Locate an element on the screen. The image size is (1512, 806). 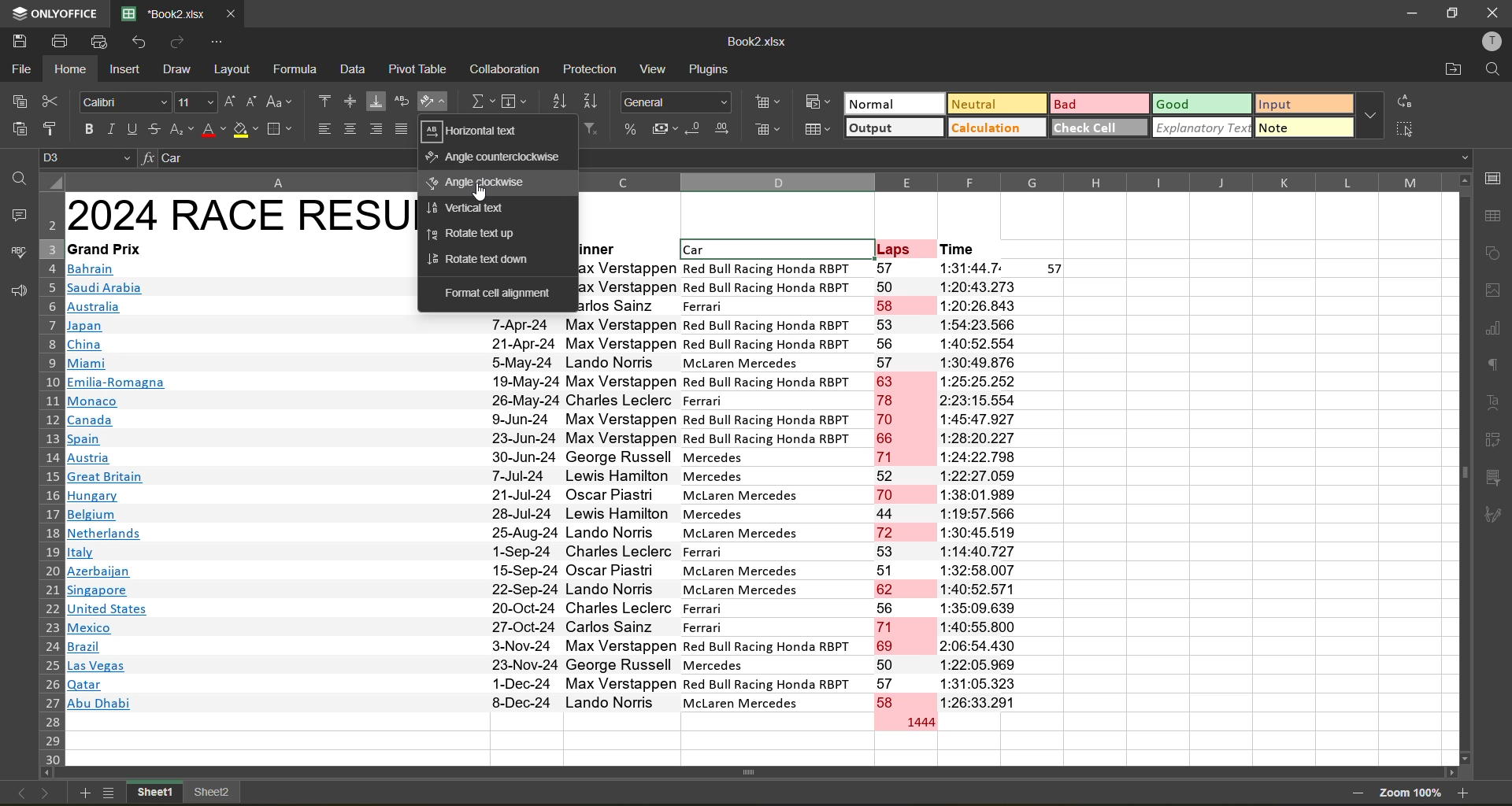
quick print is located at coordinates (102, 40).